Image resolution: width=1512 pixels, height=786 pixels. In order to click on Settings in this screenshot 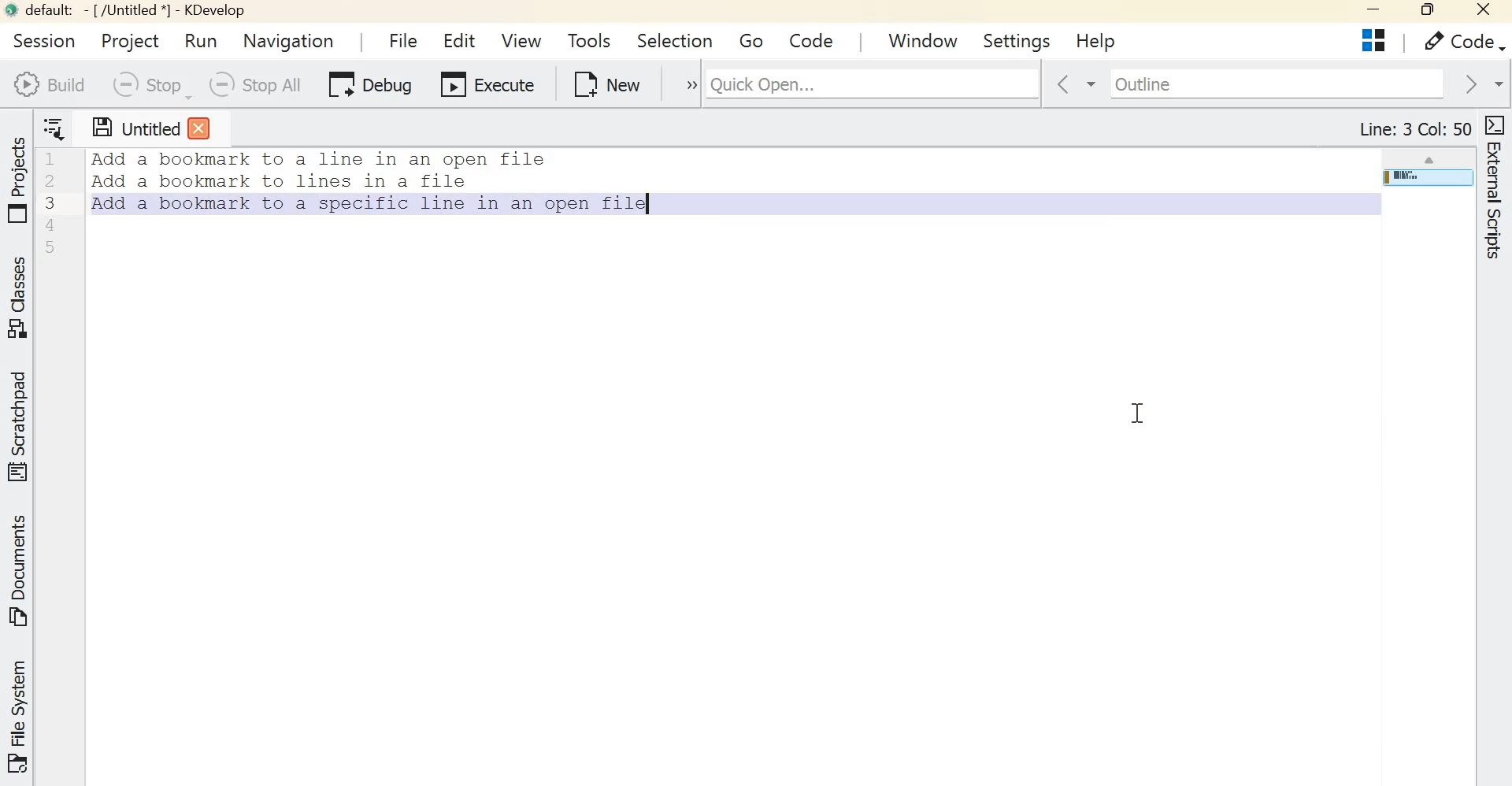, I will do `click(1017, 39)`.